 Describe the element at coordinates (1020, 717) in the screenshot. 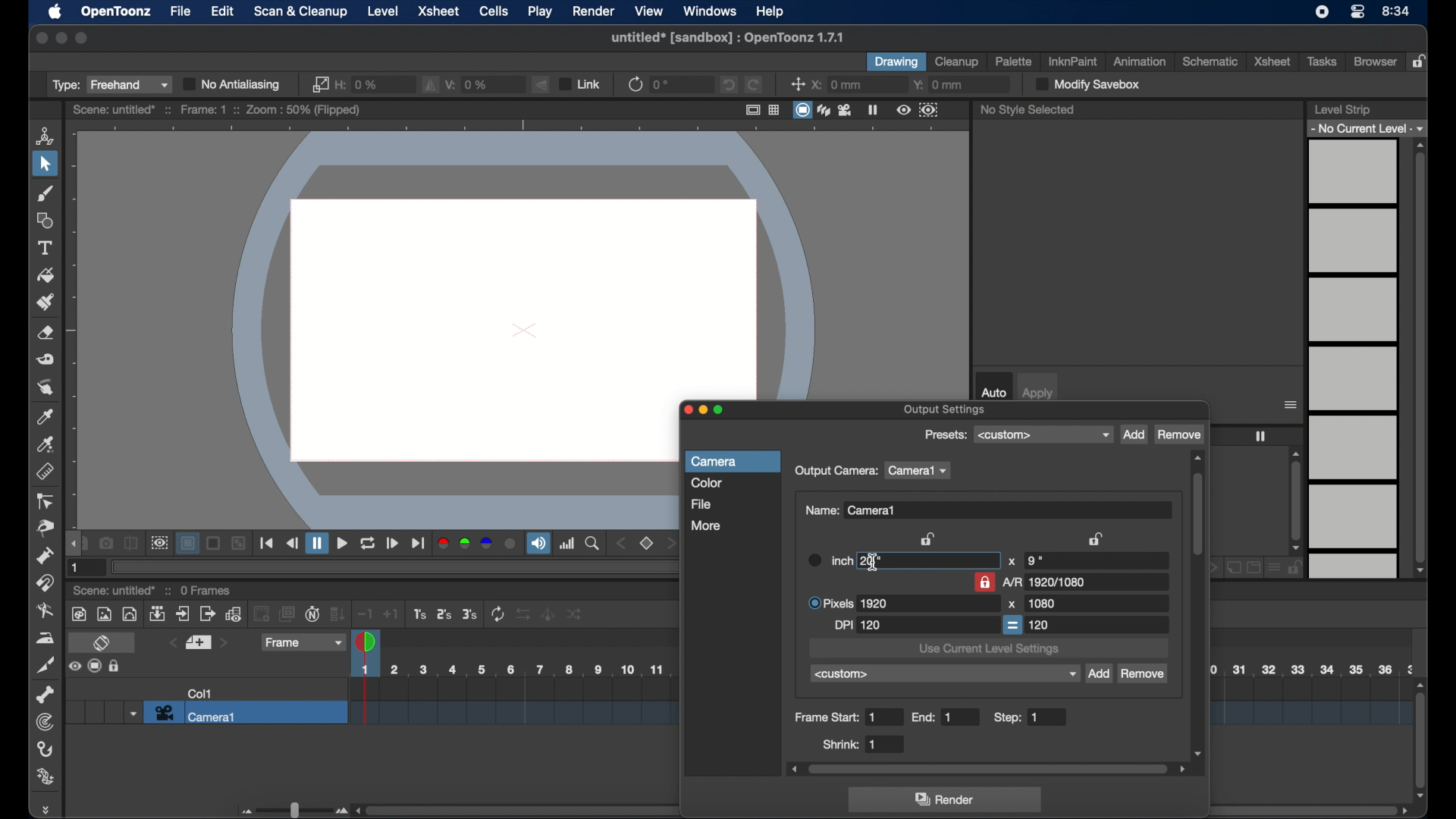

I see `step` at that location.